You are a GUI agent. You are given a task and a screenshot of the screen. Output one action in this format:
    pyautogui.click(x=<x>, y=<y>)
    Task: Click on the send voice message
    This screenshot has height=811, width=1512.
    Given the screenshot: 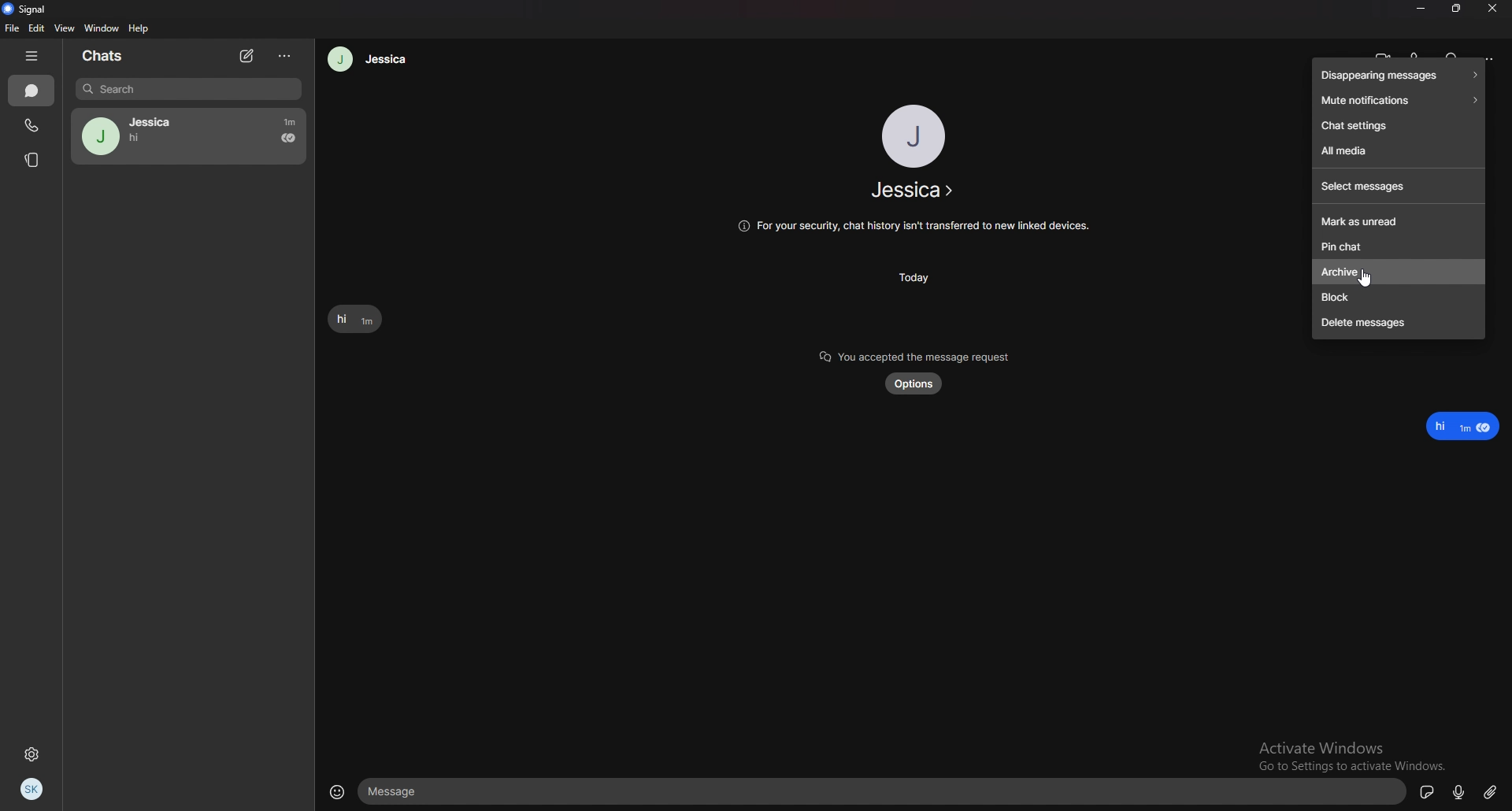 What is the action you would take?
    pyautogui.click(x=1458, y=792)
    